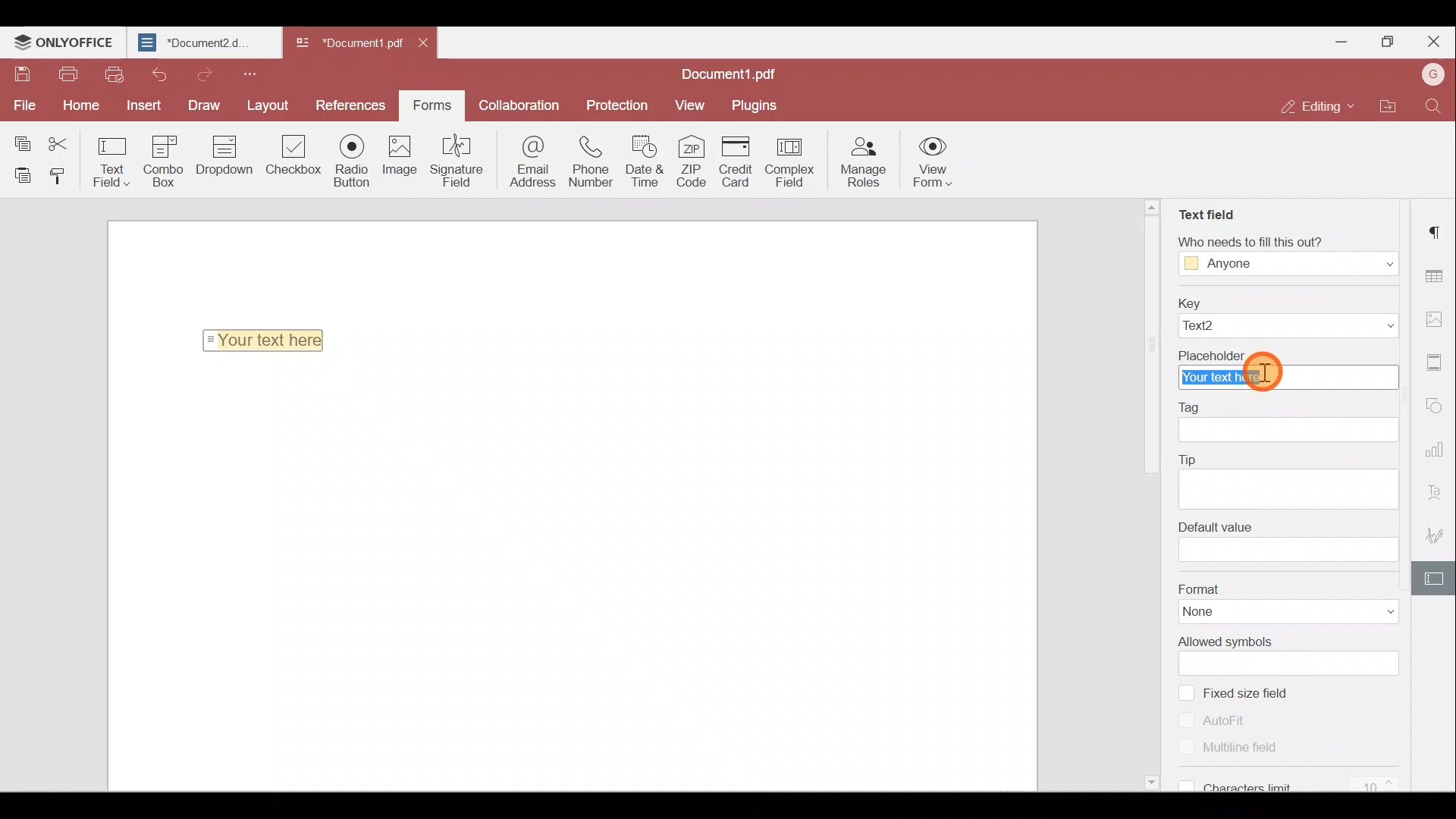 This screenshot has width=1456, height=819. I want to click on Text2, so click(1222, 326).